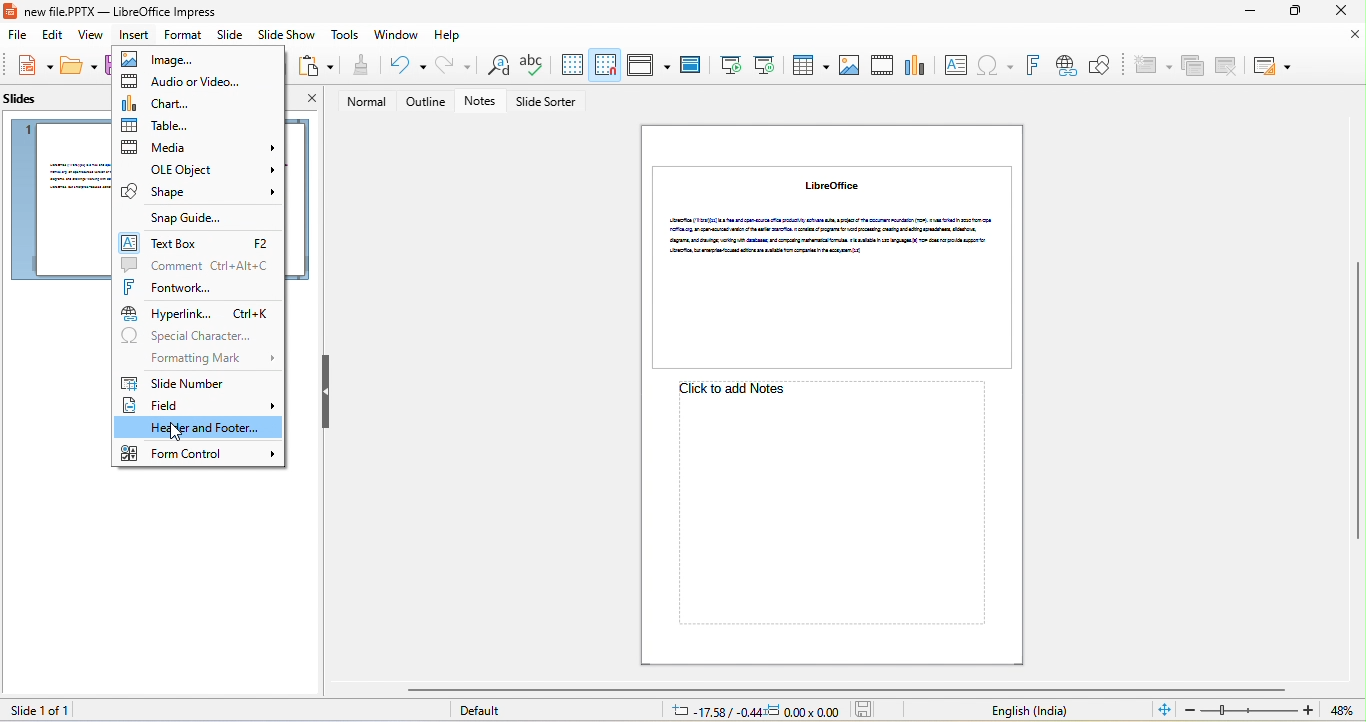 The width and height of the screenshot is (1366, 722). What do you see at coordinates (92, 37) in the screenshot?
I see `view` at bounding box center [92, 37].